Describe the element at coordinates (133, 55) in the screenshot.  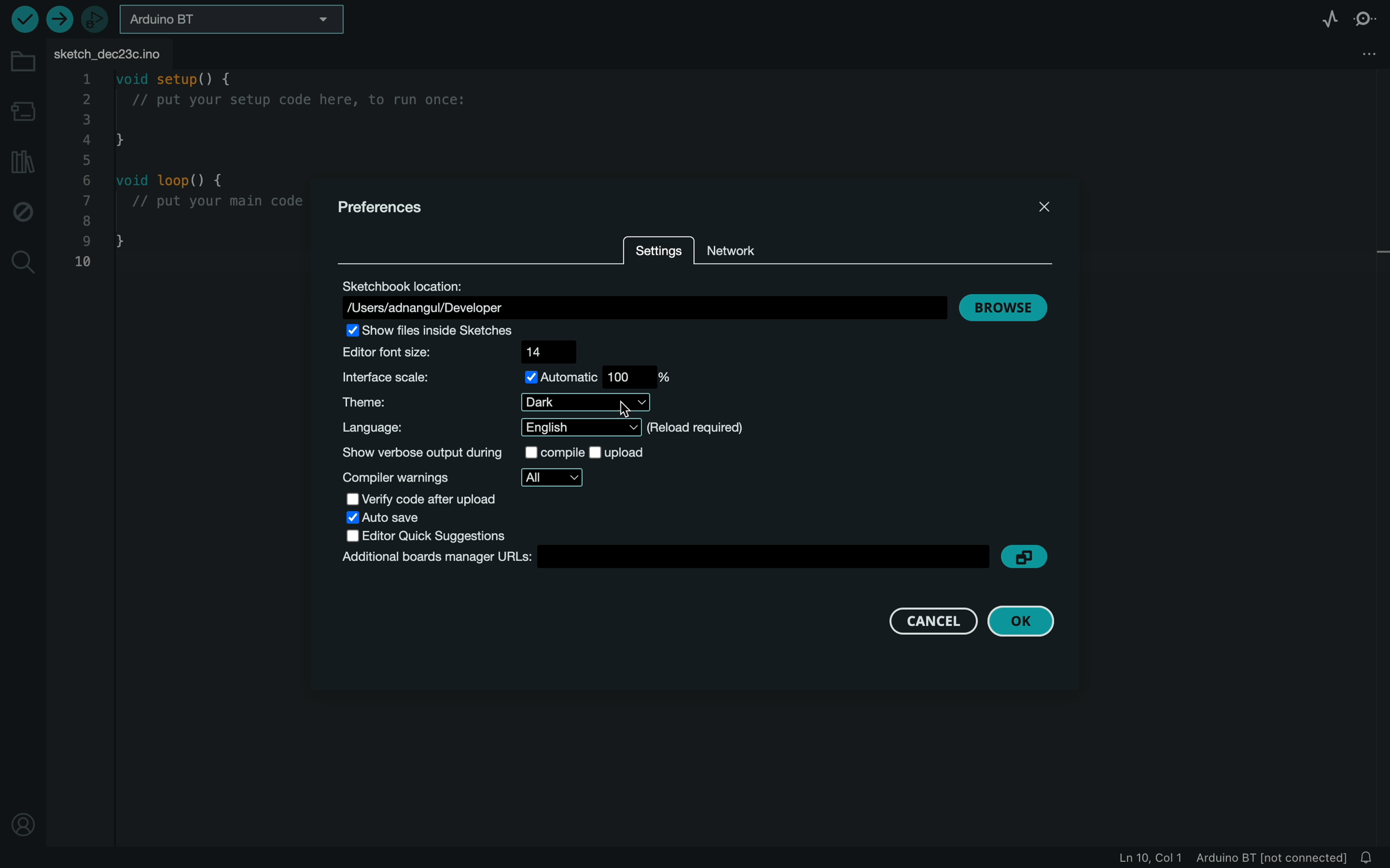
I see `file tab` at that location.